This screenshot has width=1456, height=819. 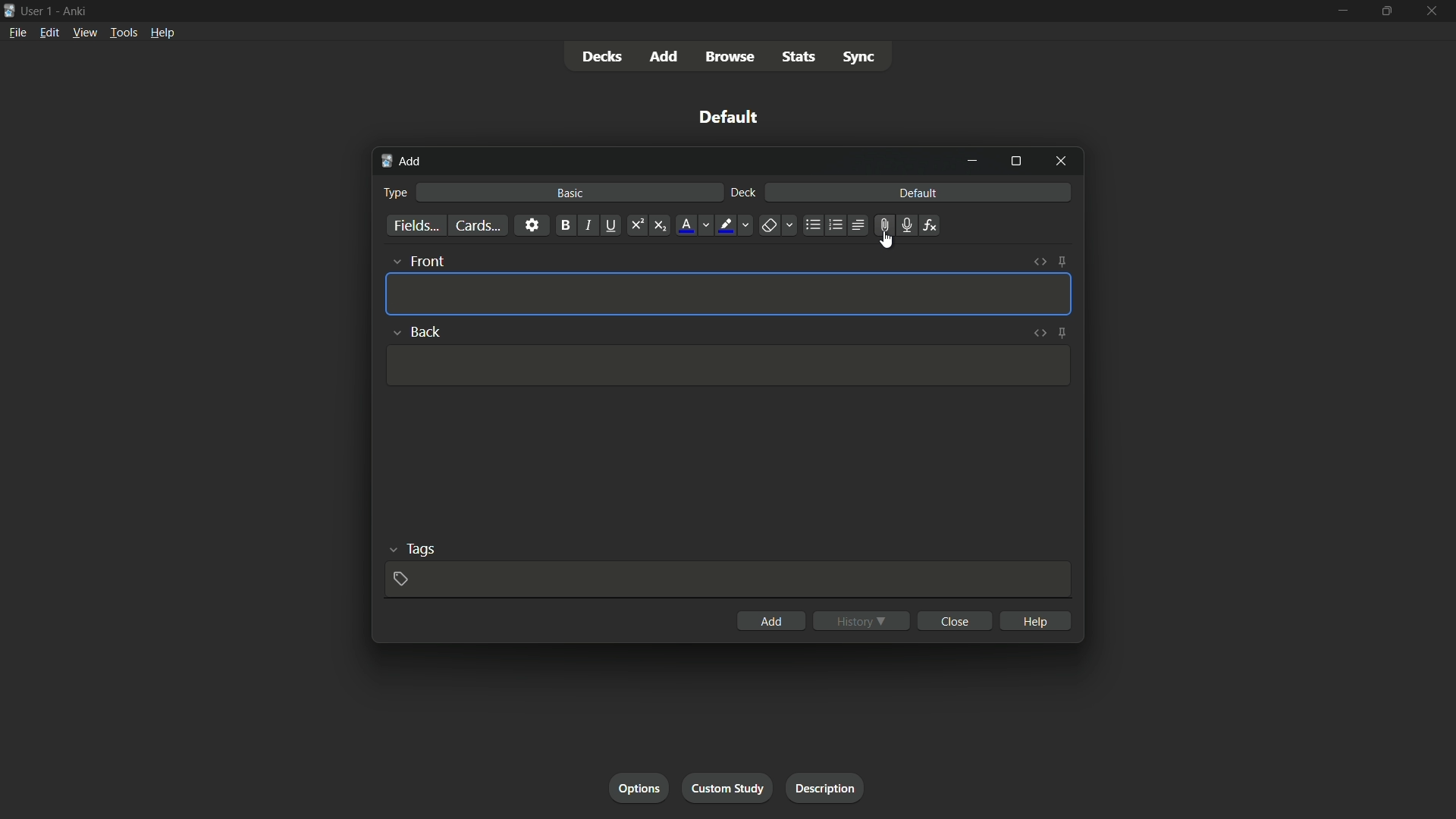 I want to click on ordered list, so click(x=835, y=224).